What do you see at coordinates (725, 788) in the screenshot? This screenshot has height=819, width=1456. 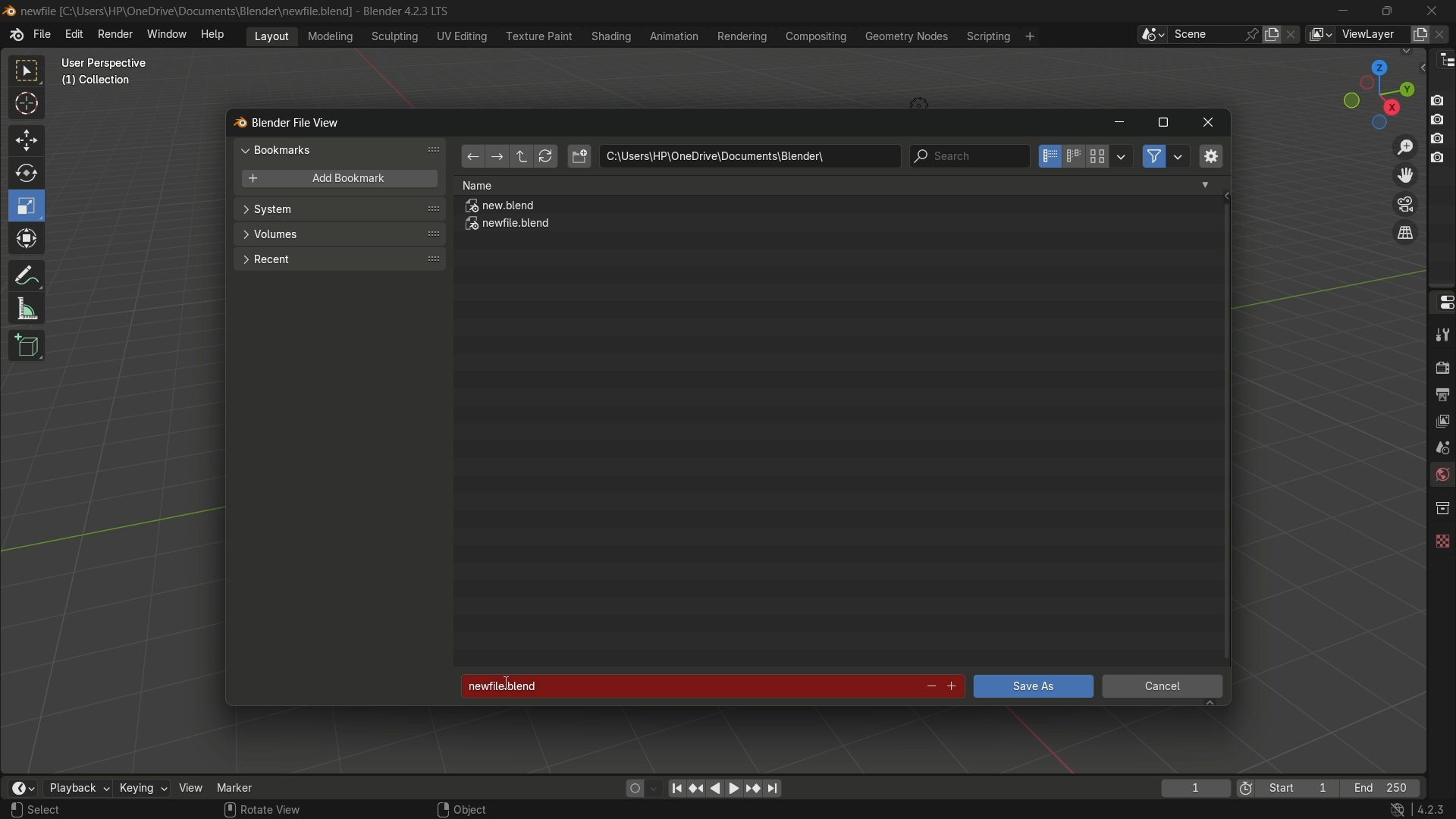 I see `play animation` at bounding box center [725, 788].